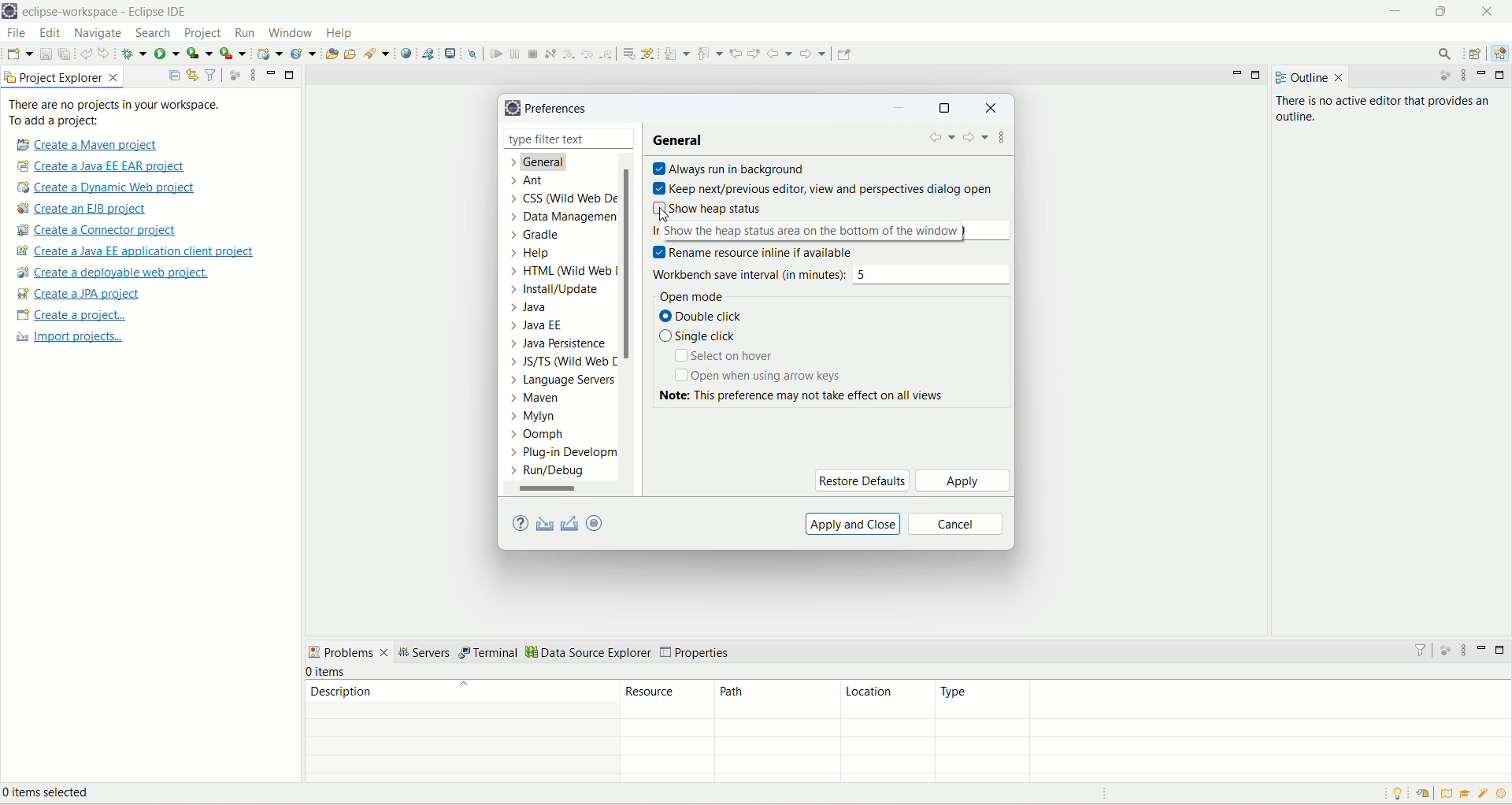  I want to click on create a Java EE ER project, so click(105, 166).